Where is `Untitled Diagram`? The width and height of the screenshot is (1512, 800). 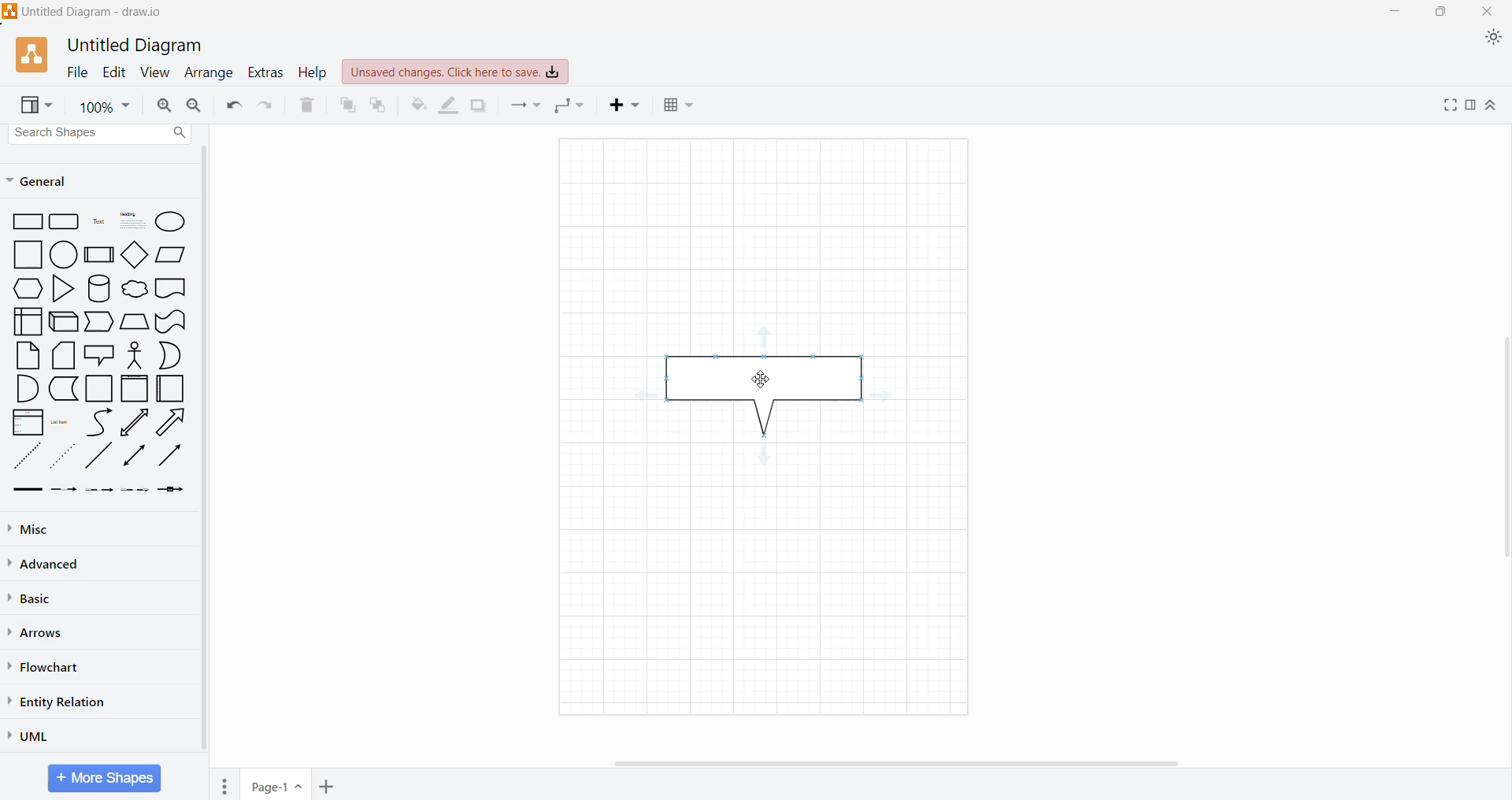
Untitled Diagram is located at coordinates (135, 46).